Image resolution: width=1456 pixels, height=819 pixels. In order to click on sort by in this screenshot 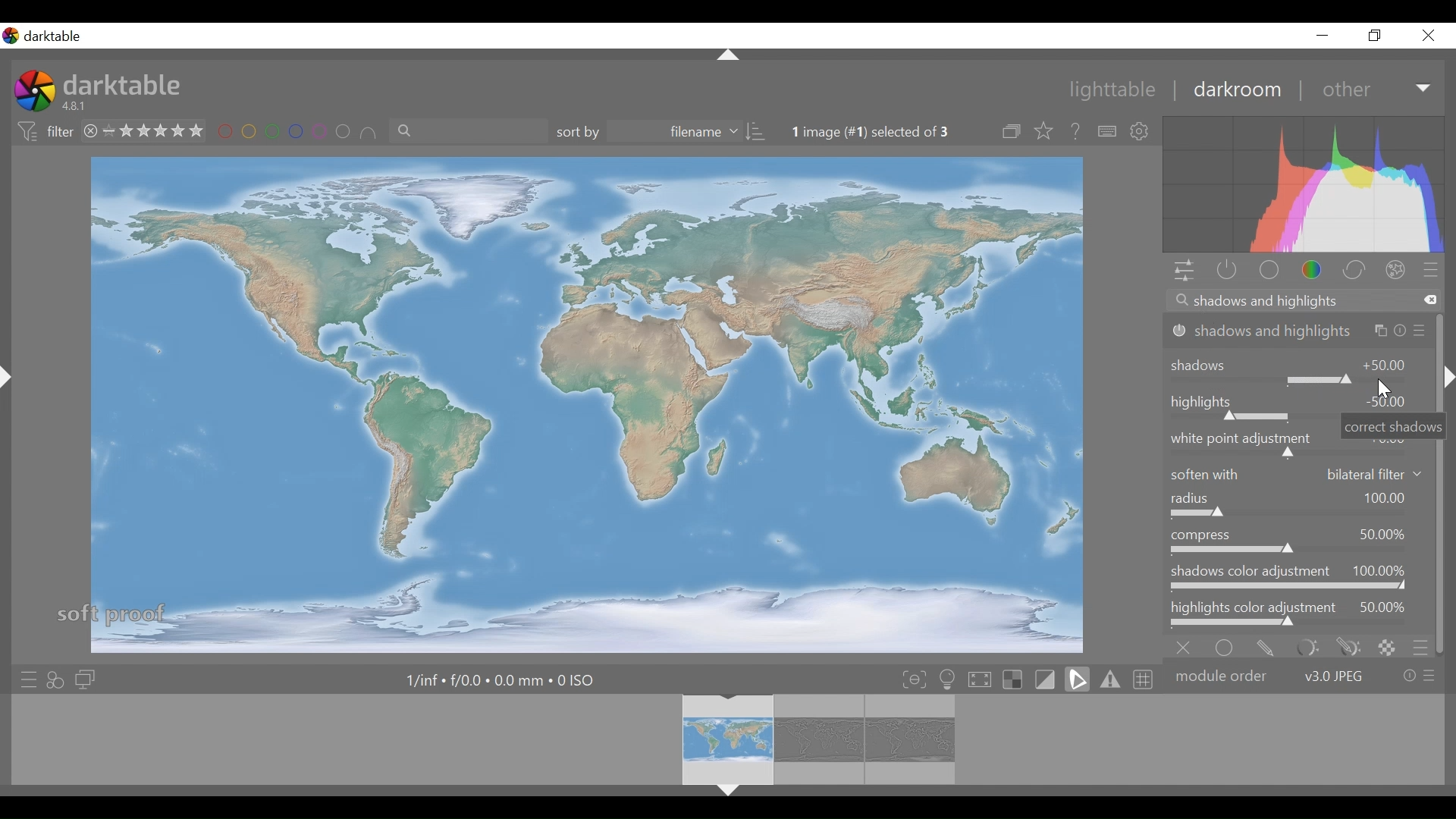, I will do `click(661, 133)`.